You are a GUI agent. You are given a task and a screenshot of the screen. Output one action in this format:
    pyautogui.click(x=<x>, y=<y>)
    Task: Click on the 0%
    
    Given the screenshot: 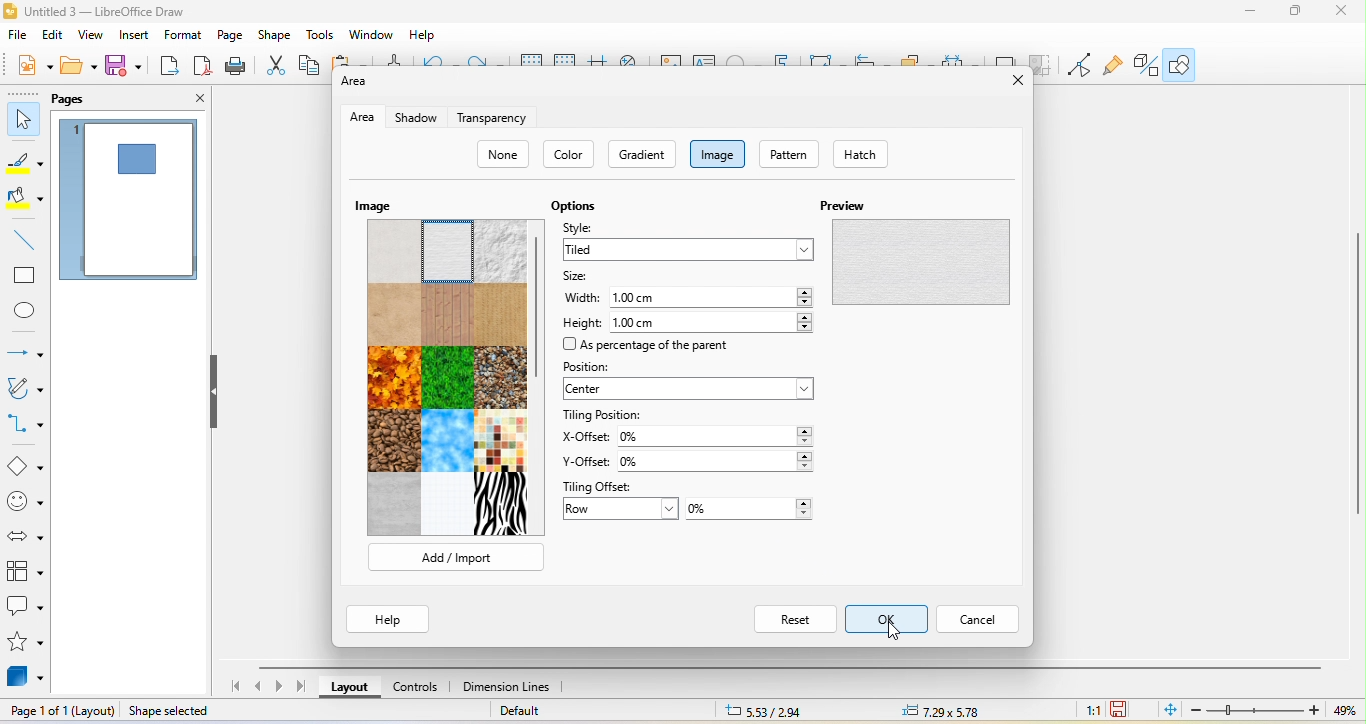 What is the action you would take?
    pyautogui.click(x=750, y=508)
    